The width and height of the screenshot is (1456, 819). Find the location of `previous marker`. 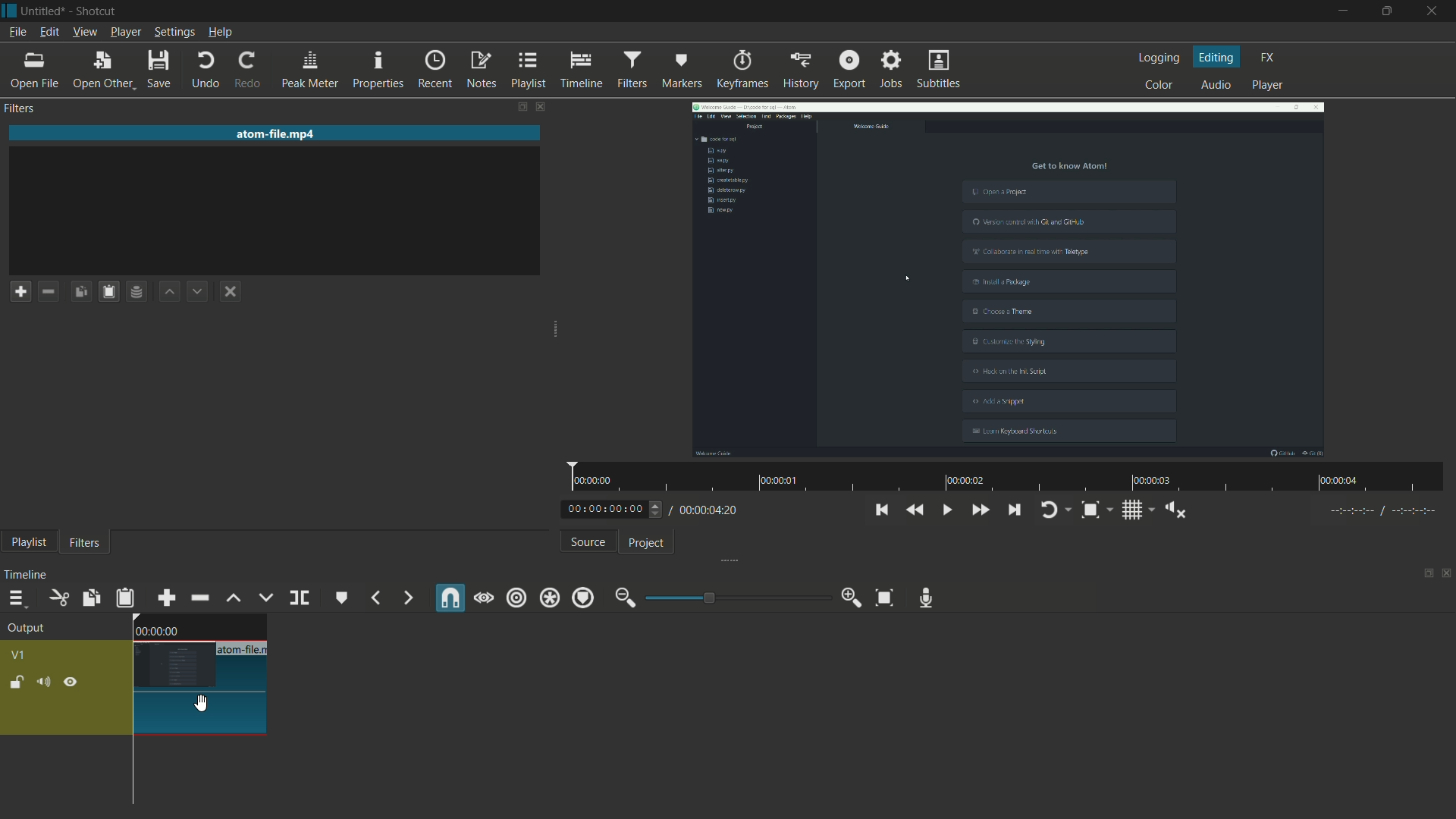

previous marker is located at coordinates (375, 598).